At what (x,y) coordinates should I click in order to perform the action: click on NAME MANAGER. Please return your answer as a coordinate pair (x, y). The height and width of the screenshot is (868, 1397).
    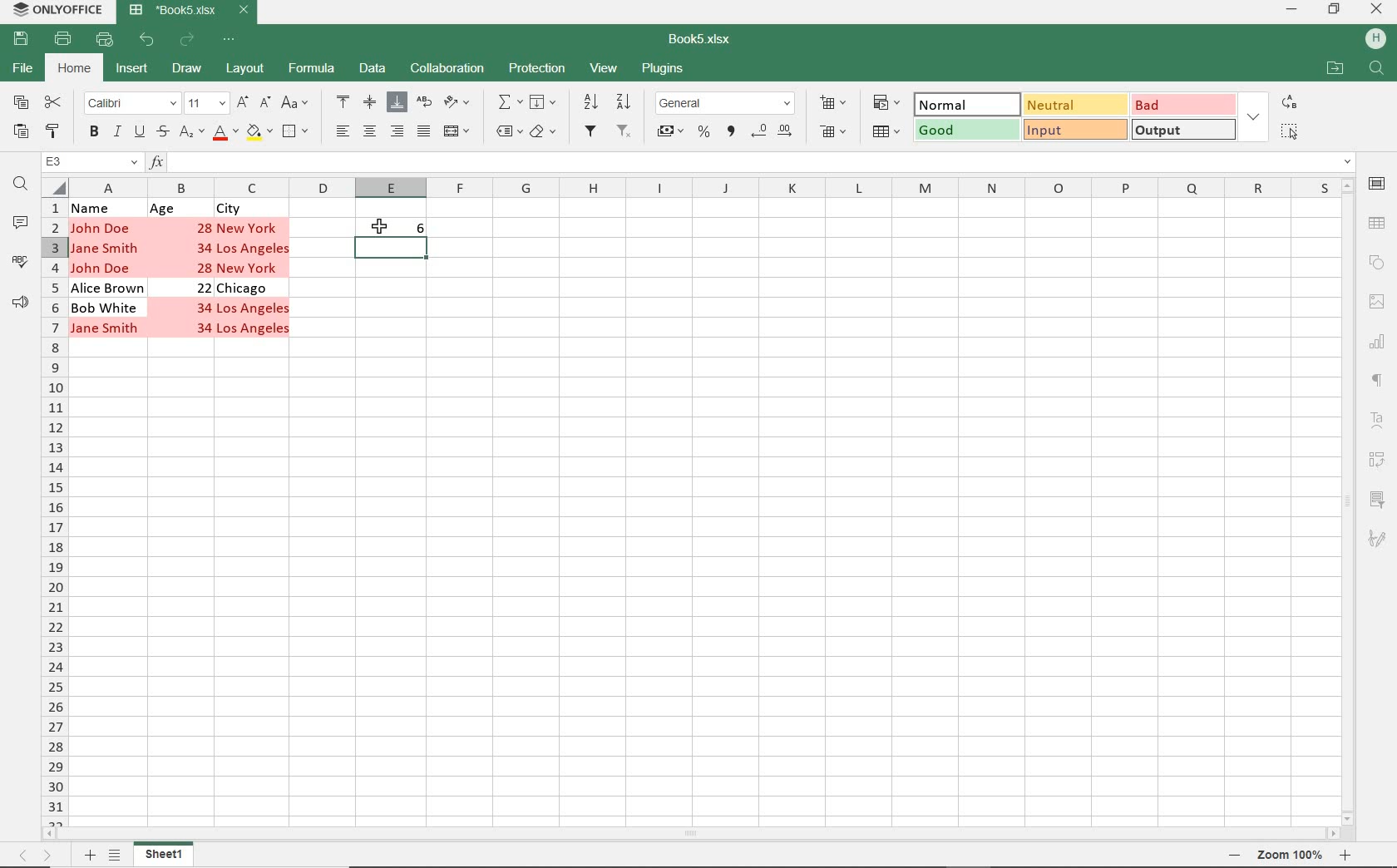
    Looking at the image, I should click on (91, 162).